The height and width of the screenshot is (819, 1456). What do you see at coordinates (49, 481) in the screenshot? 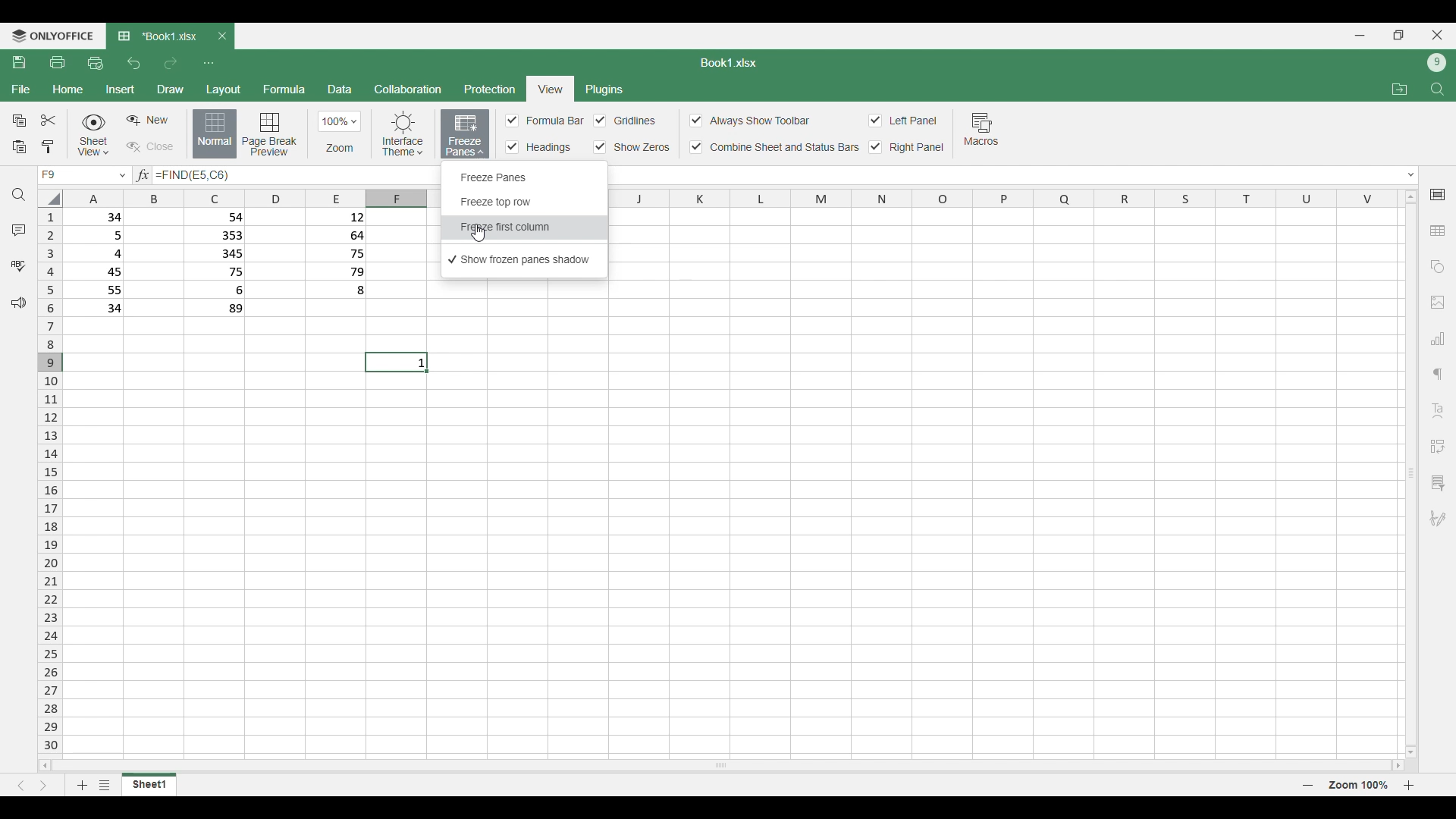
I see `Indicates rows` at bounding box center [49, 481].